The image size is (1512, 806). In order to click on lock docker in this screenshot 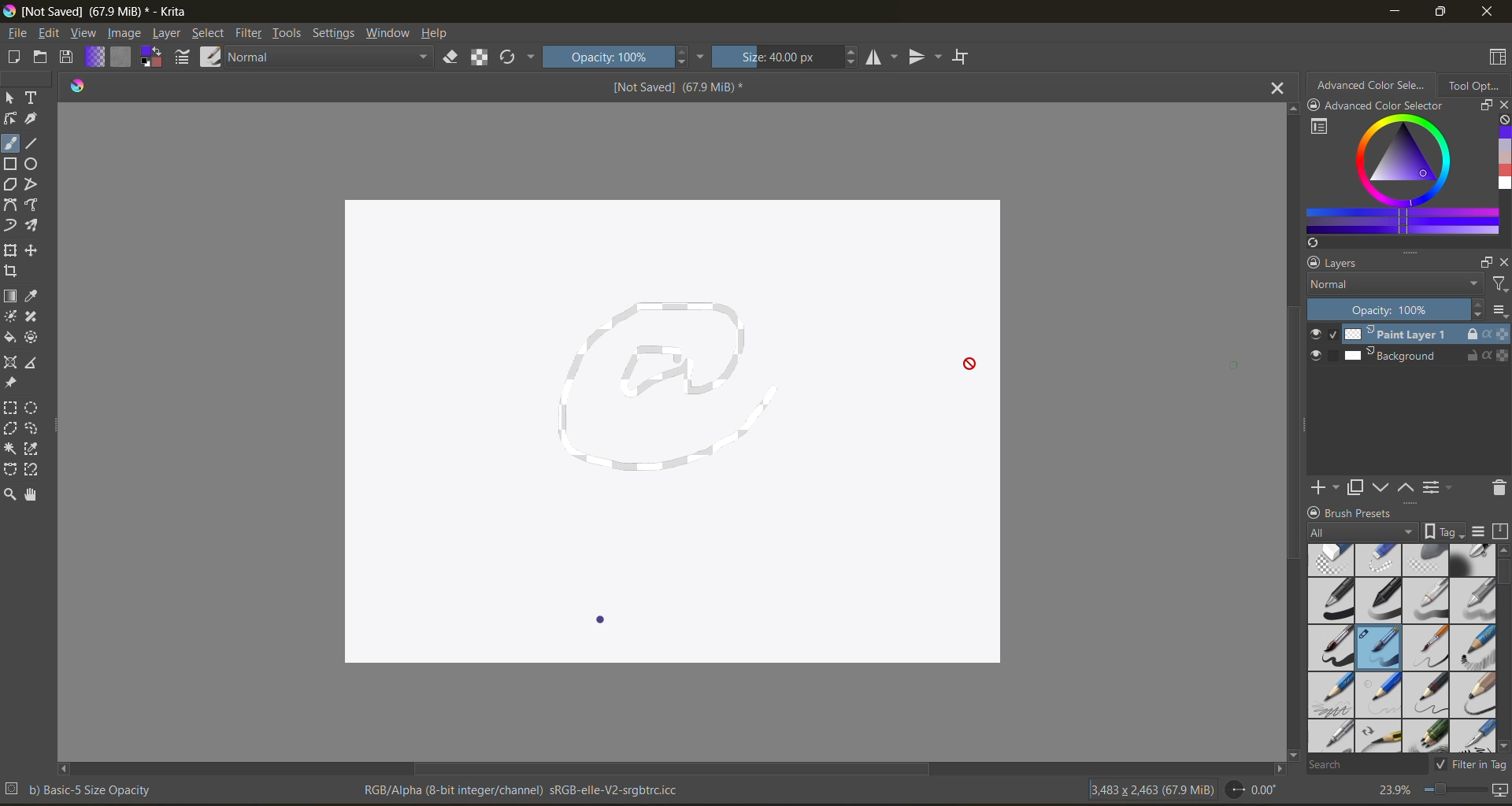, I will do `click(1312, 512)`.